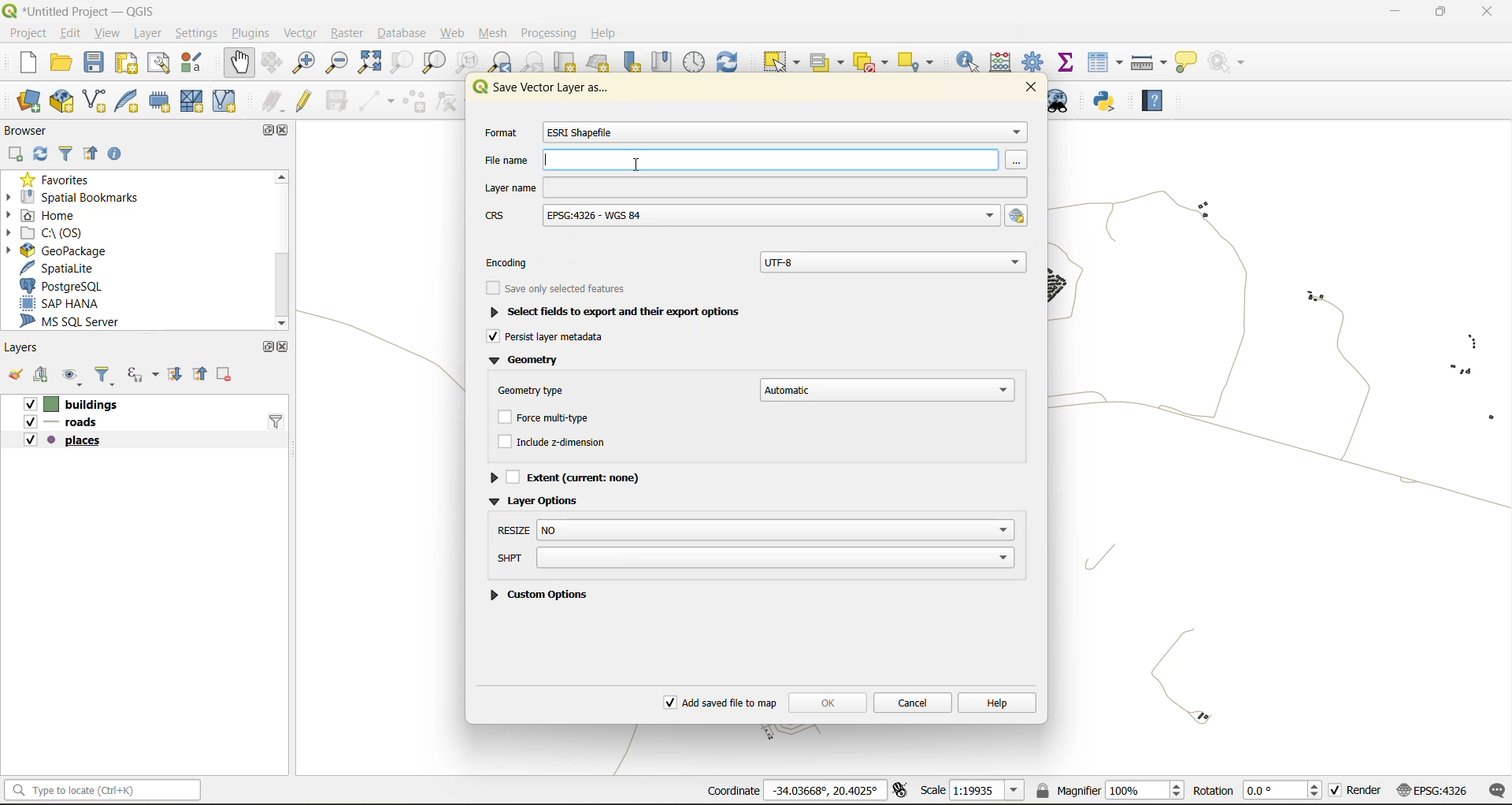  Describe the element at coordinates (972, 61) in the screenshot. I see `identify features` at that location.